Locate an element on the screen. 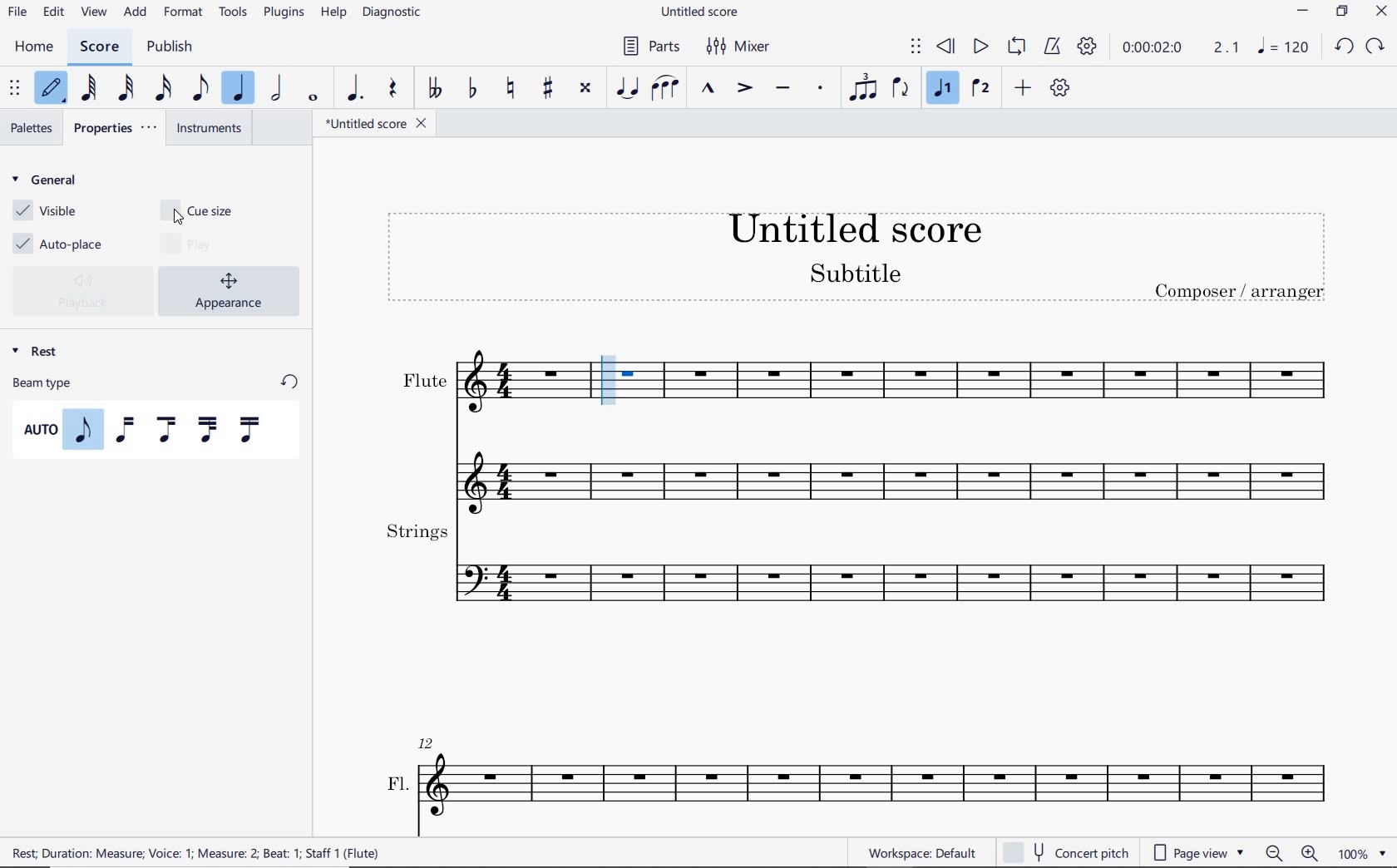 The width and height of the screenshot is (1397, 868). MARCATO is located at coordinates (708, 90).